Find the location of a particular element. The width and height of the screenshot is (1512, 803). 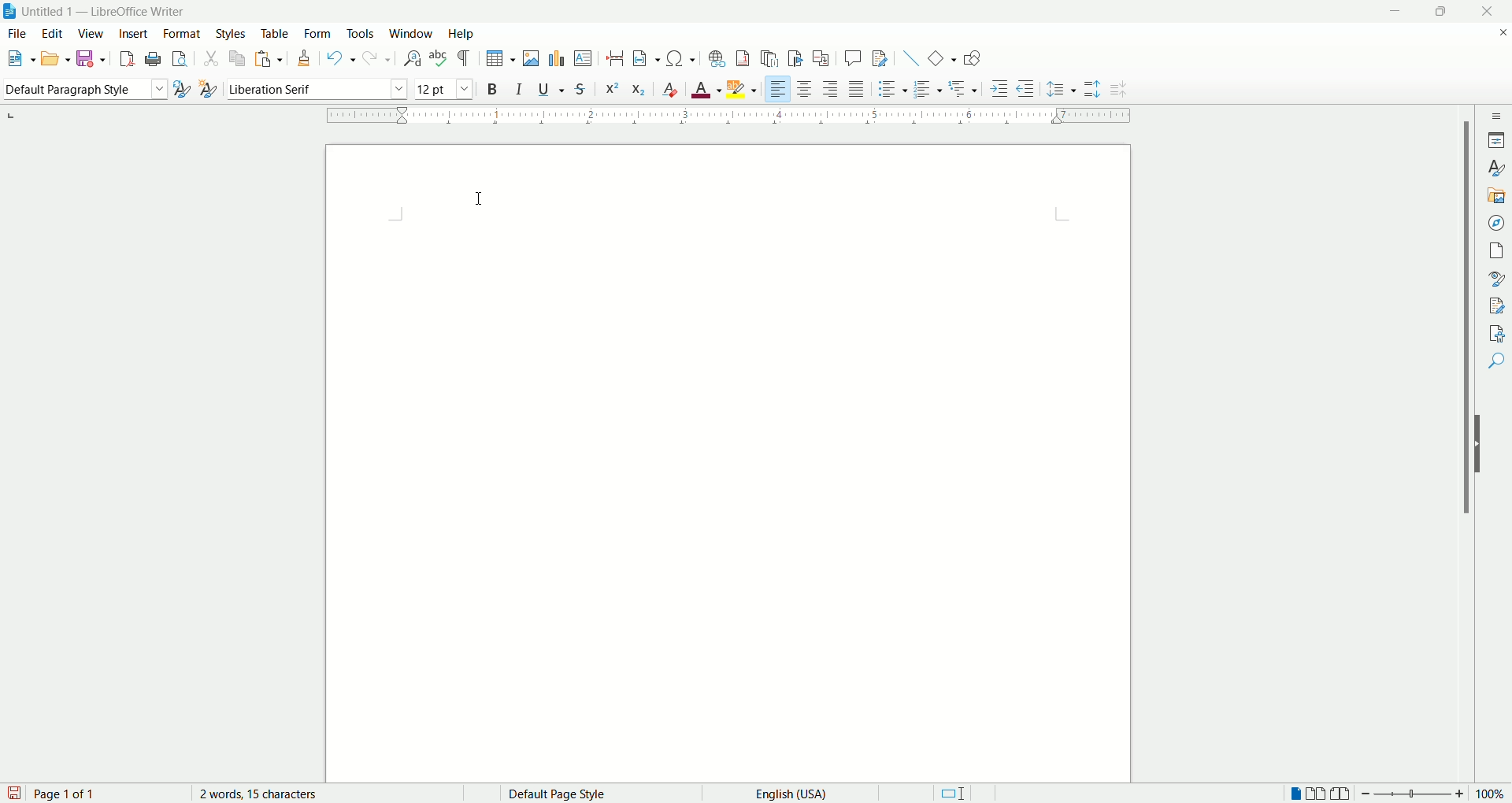

maximize is located at coordinates (1444, 11).